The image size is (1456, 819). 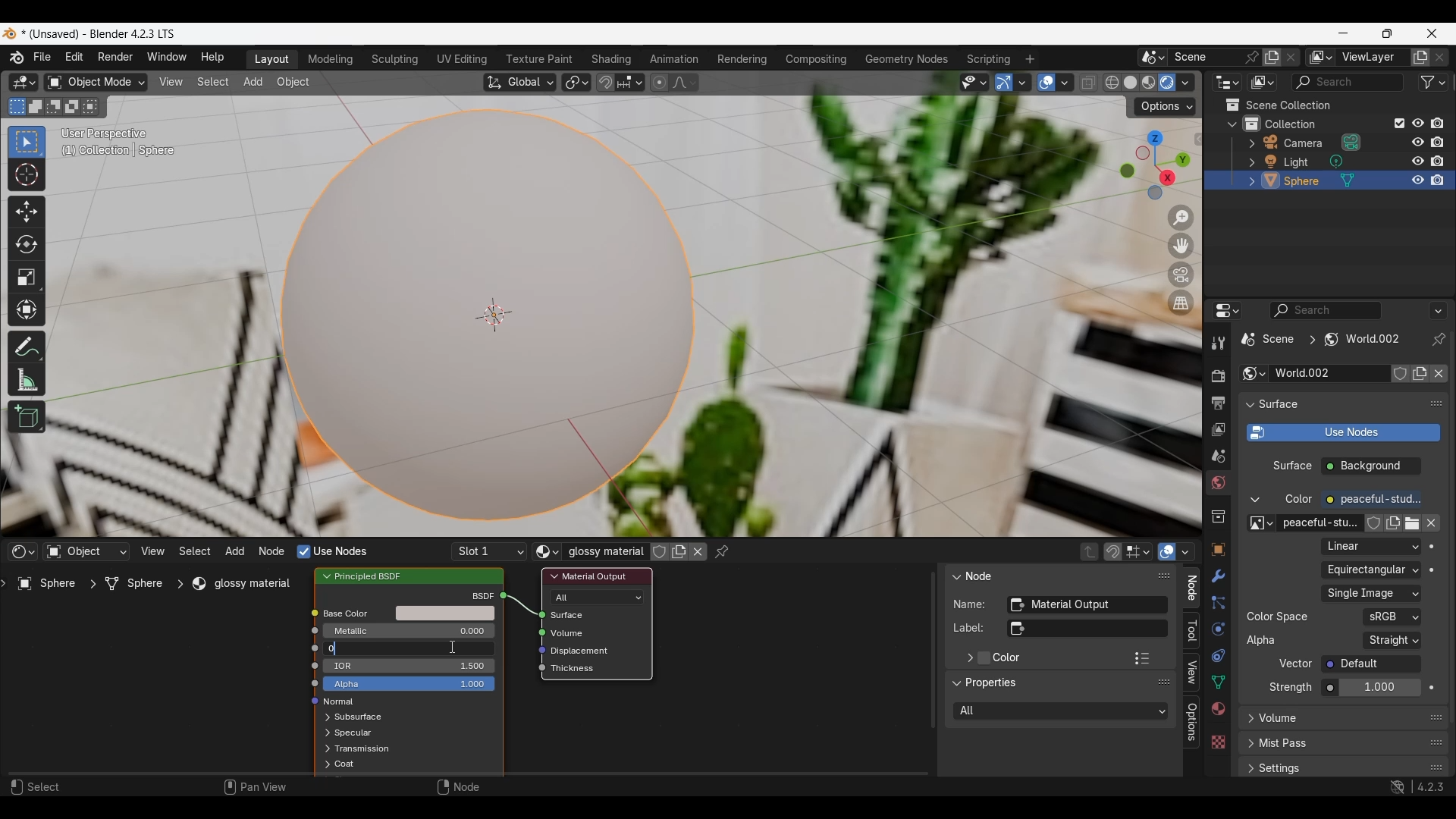 I want to click on Type of data to take shader from, so click(x=86, y=551).